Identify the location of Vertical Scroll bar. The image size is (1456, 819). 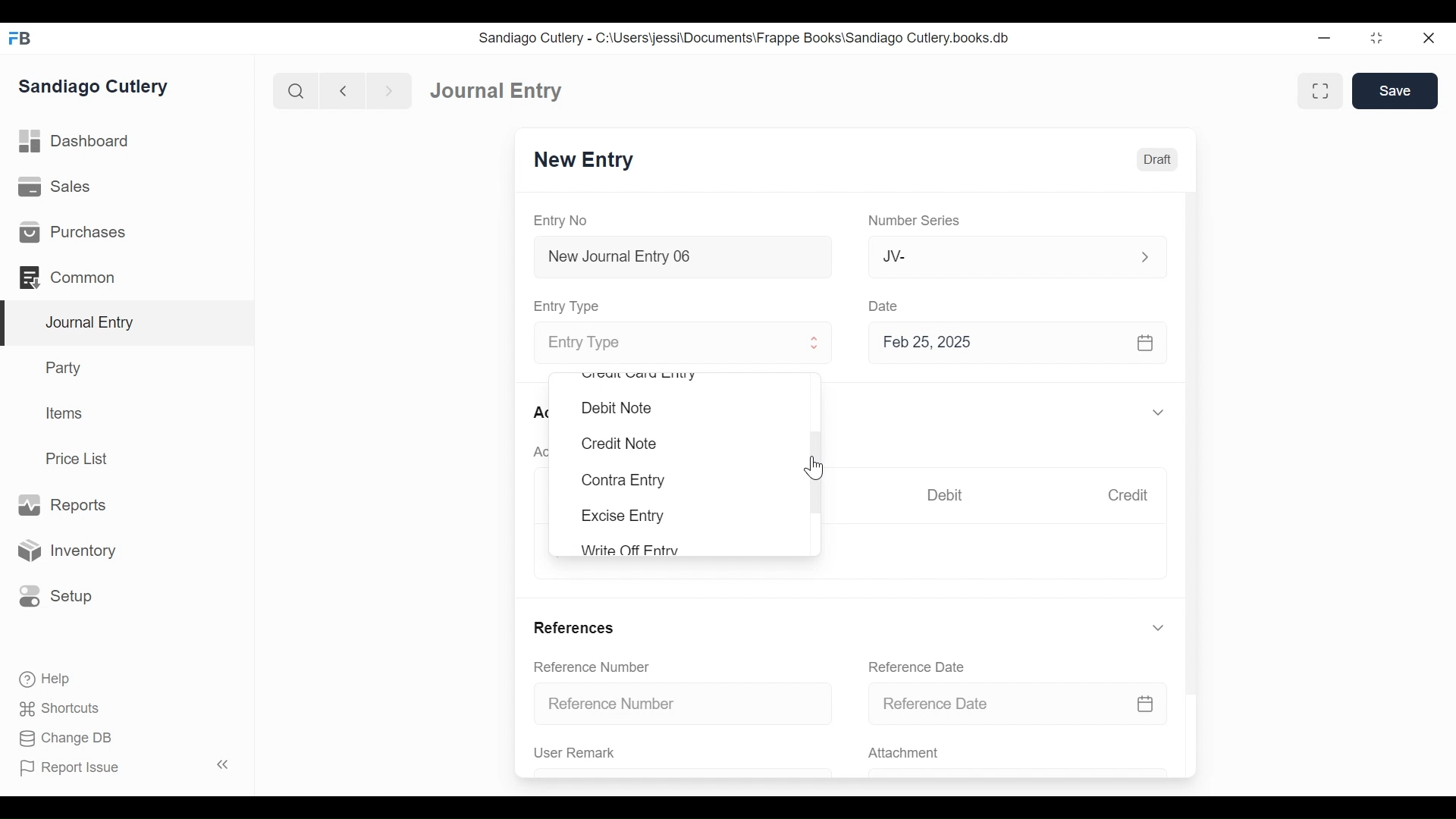
(816, 473).